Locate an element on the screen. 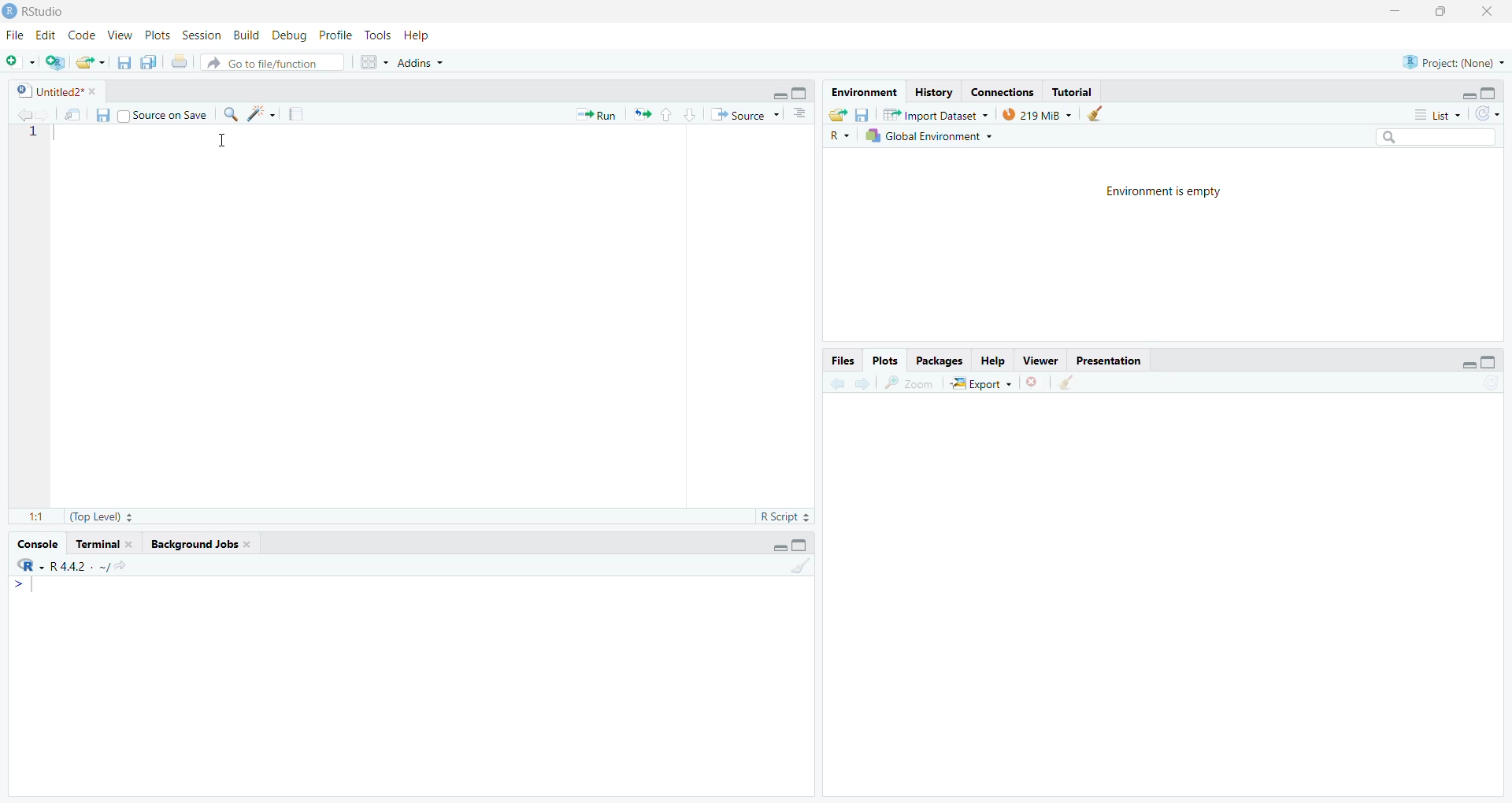  Import Dataset ~ is located at coordinates (936, 114).